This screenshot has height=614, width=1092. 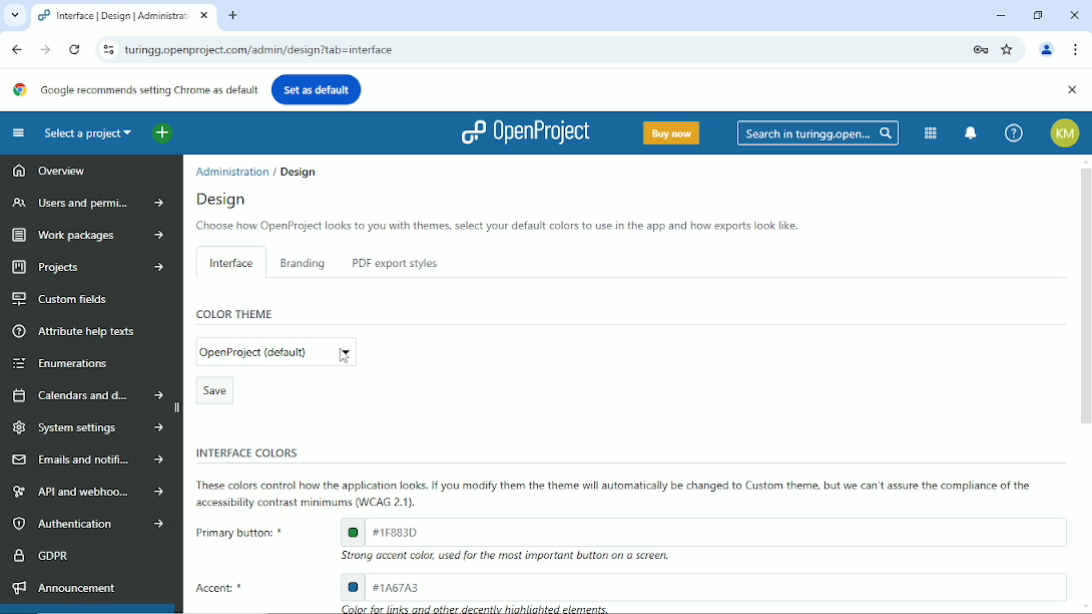 What do you see at coordinates (44, 49) in the screenshot?
I see `Forward` at bounding box center [44, 49].